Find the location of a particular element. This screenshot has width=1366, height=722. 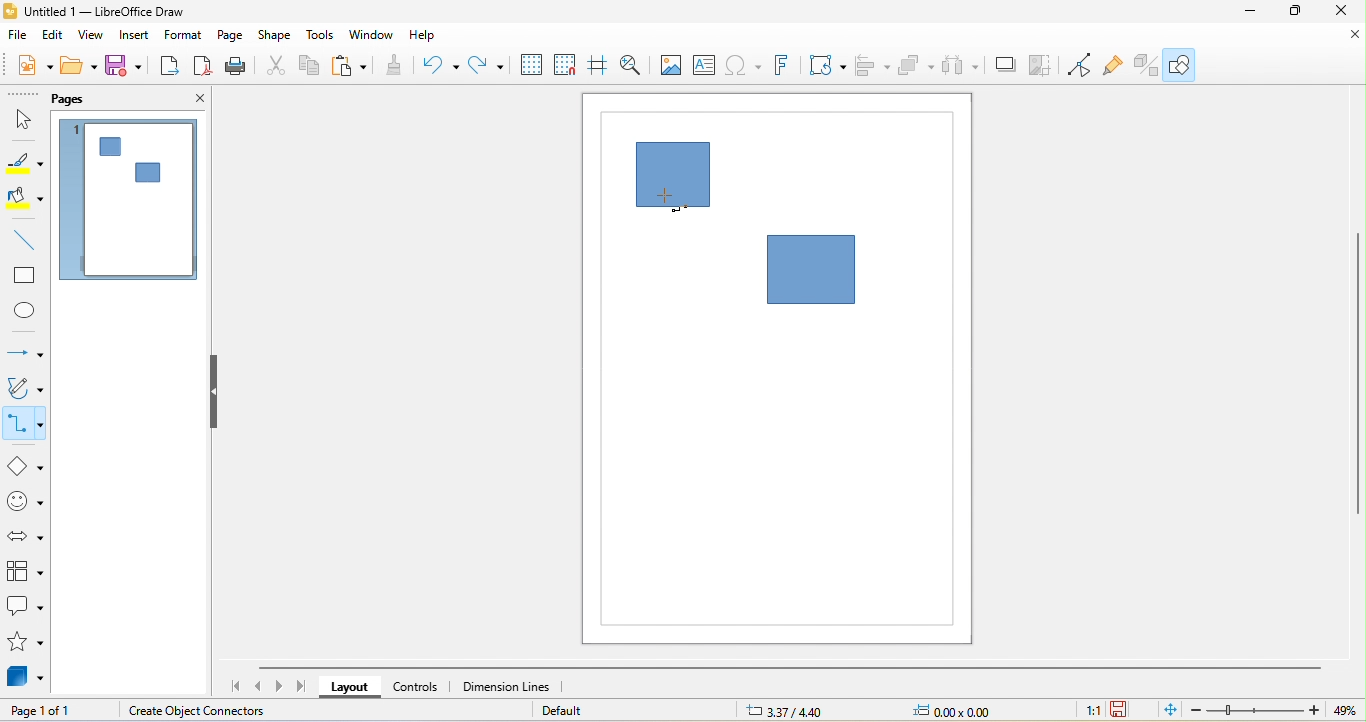

cursor movement is located at coordinates (671, 199).